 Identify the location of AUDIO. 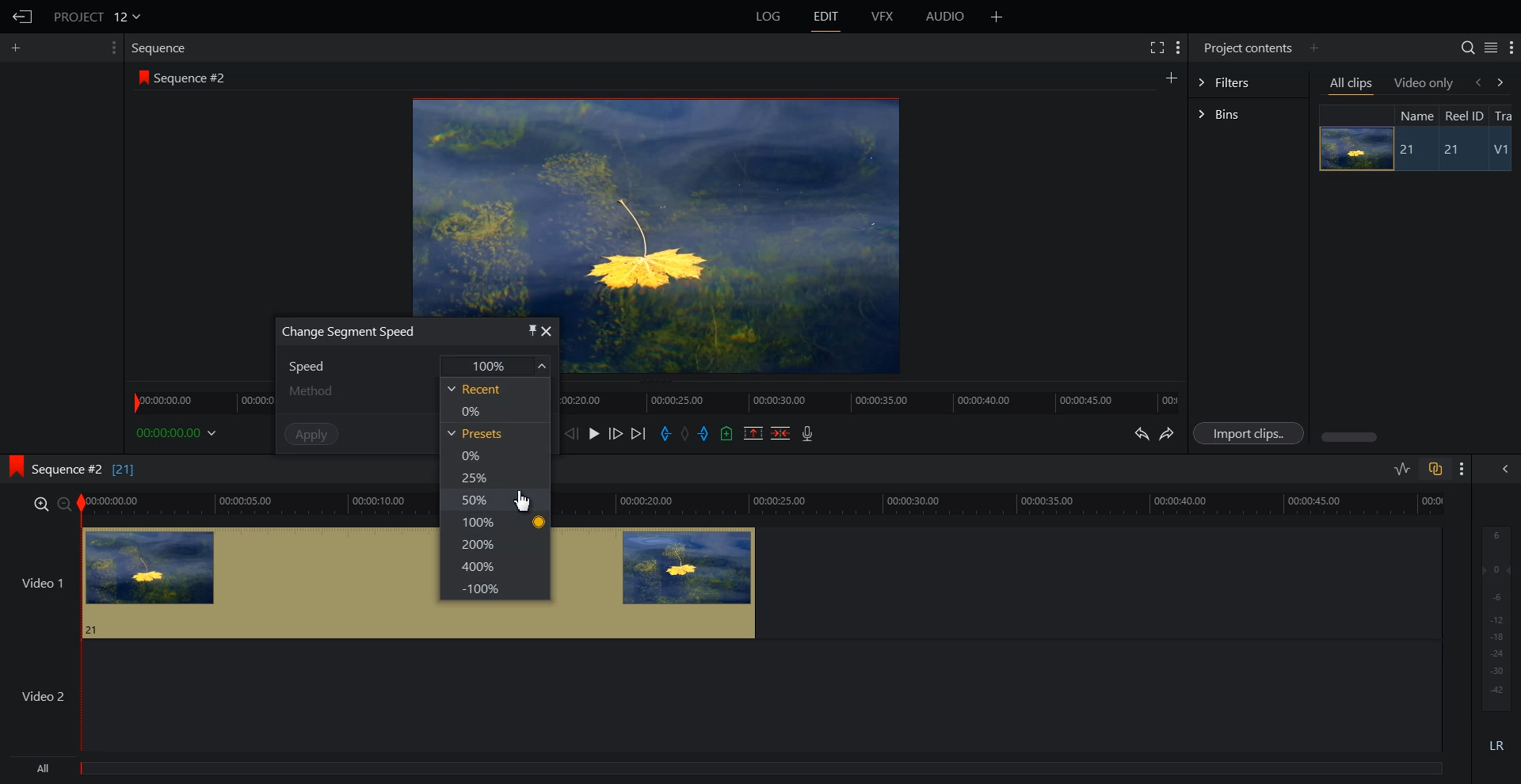
(947, 17).